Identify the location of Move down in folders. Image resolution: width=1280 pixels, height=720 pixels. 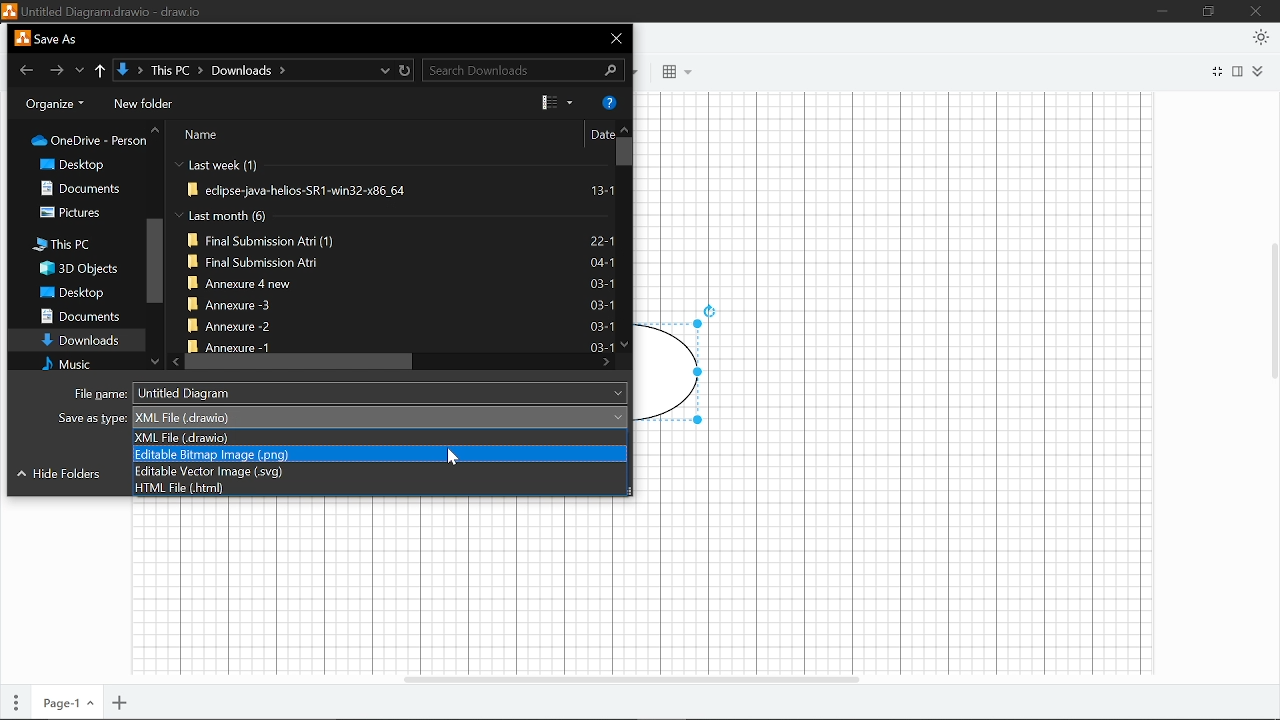
(156, 362).